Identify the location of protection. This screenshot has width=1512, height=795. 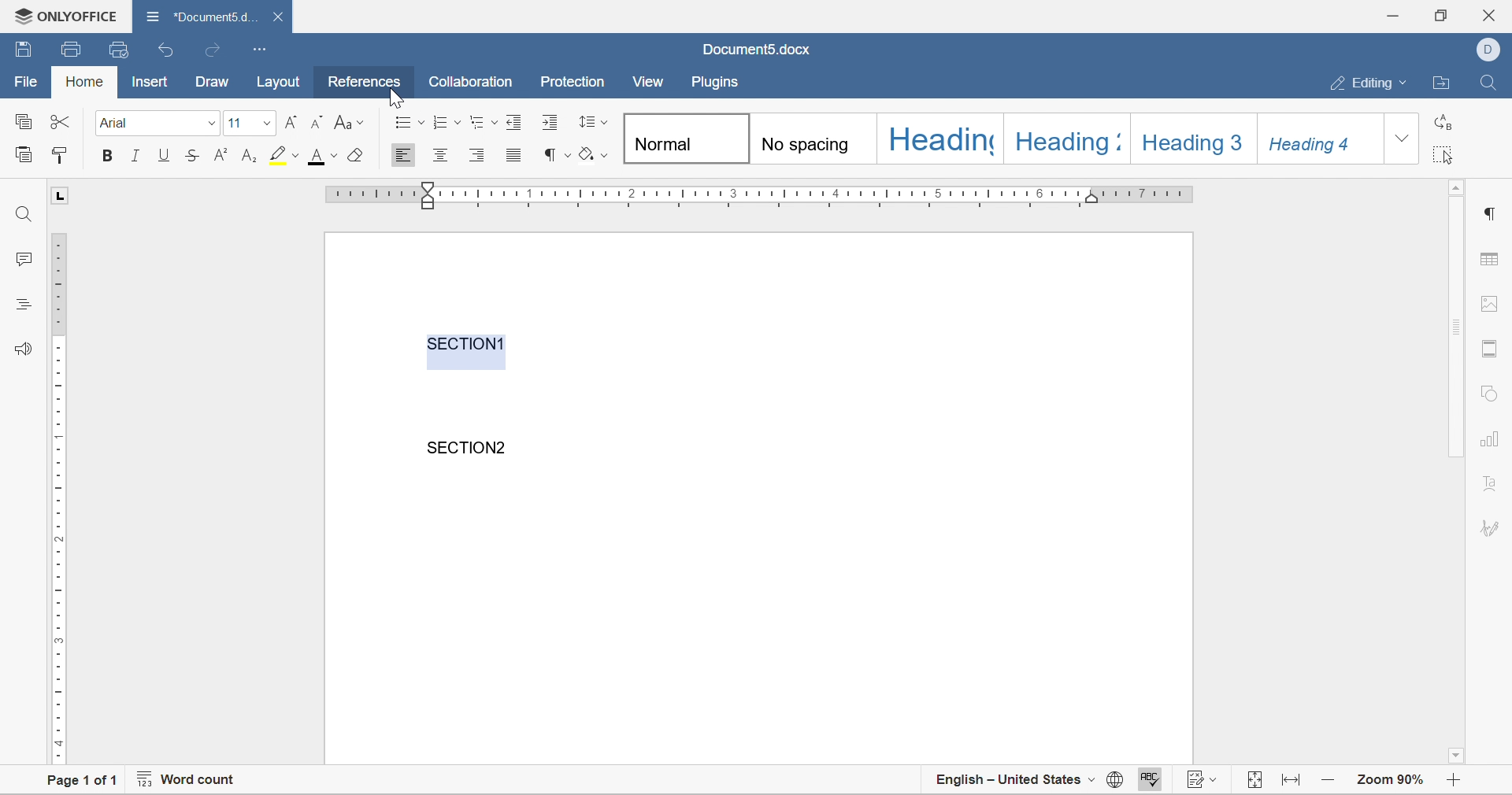
(573, 81).